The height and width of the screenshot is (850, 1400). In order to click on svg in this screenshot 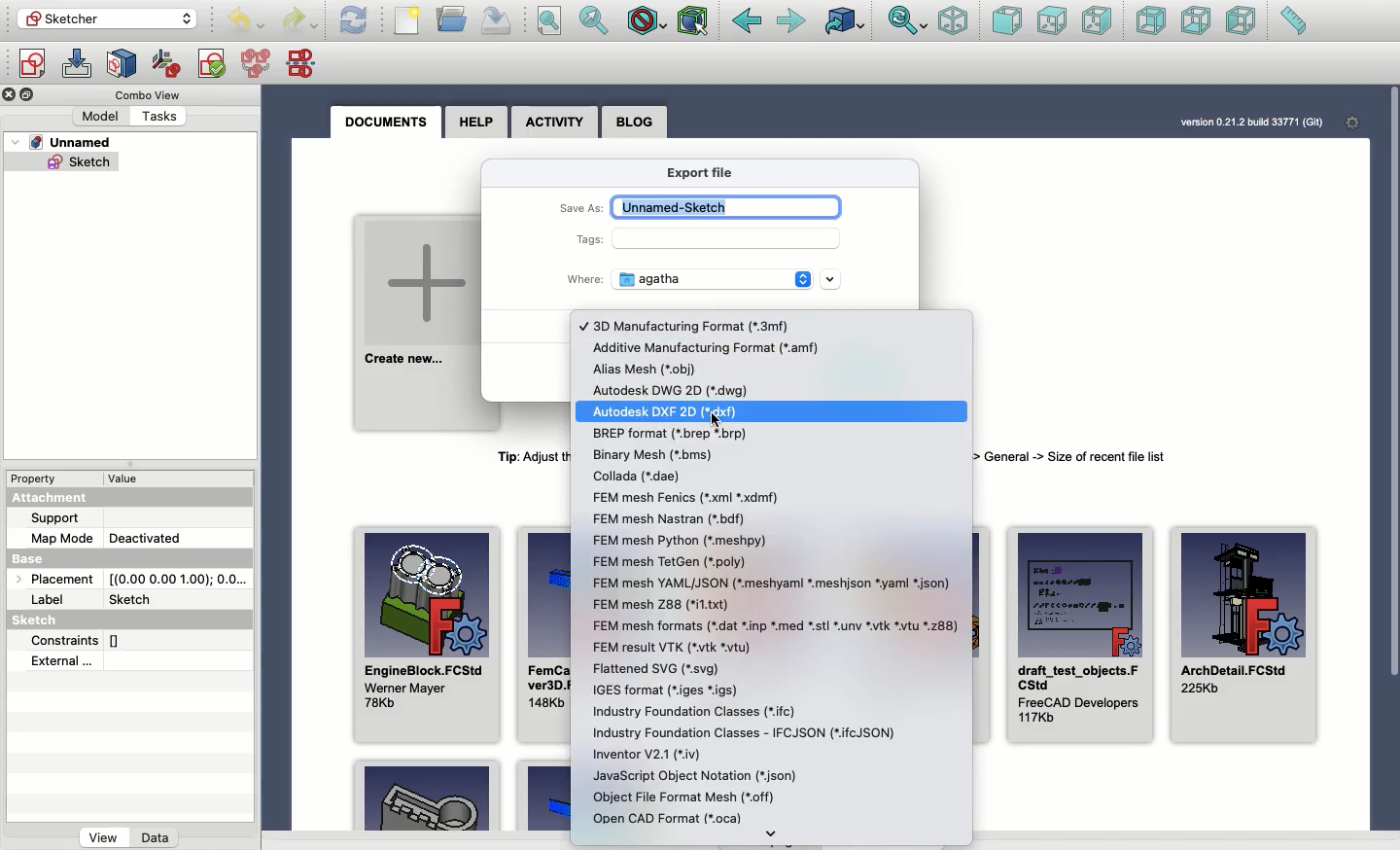, I will do `click(654, 670)`.